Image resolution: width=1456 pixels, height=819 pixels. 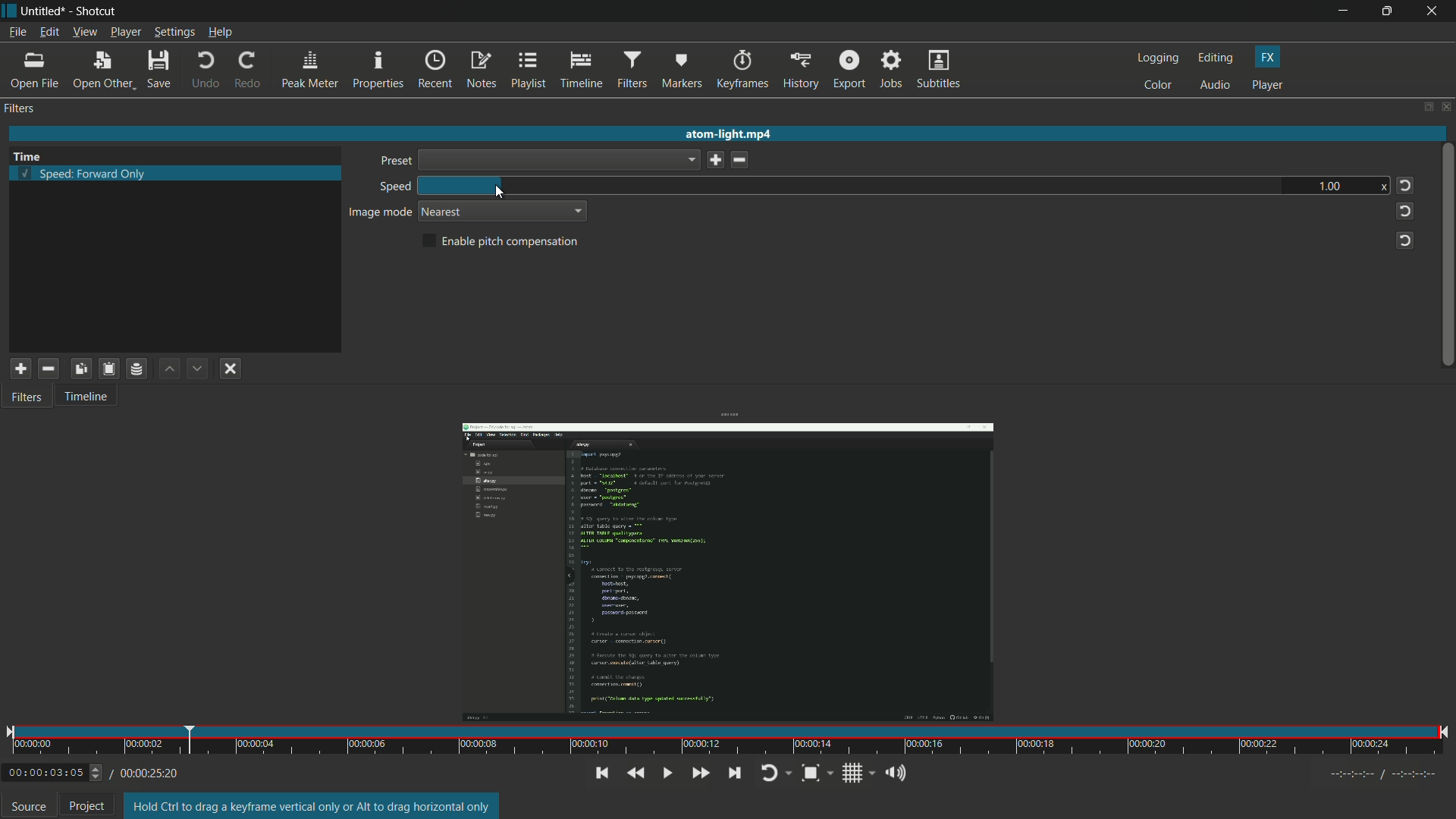 What do you see at coordinates (80, 369) in the screenshot?
I see `copy checked filter` at bounding box center [80, 369].